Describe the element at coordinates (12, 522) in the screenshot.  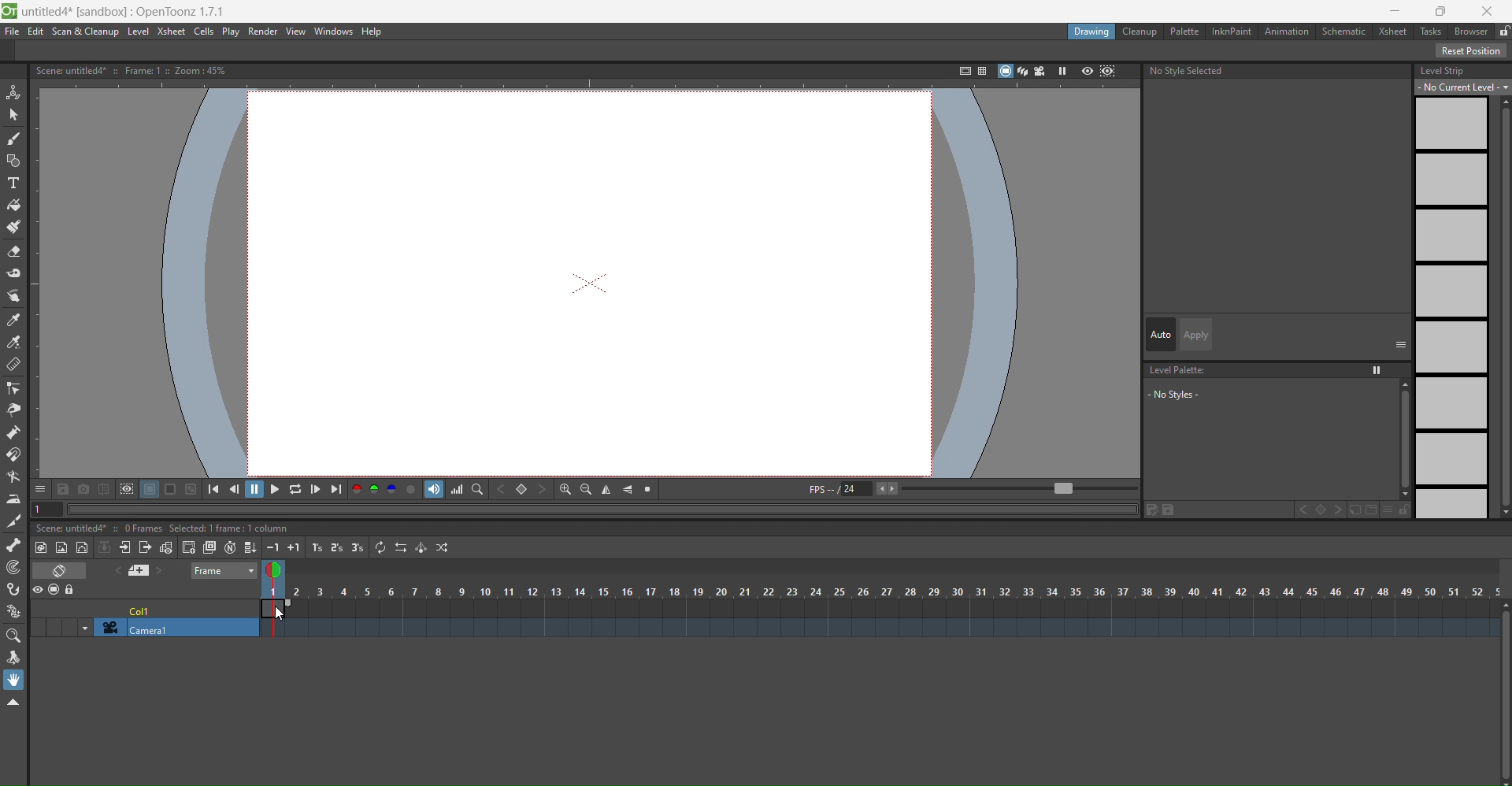
I see `cutter tool` at that location.